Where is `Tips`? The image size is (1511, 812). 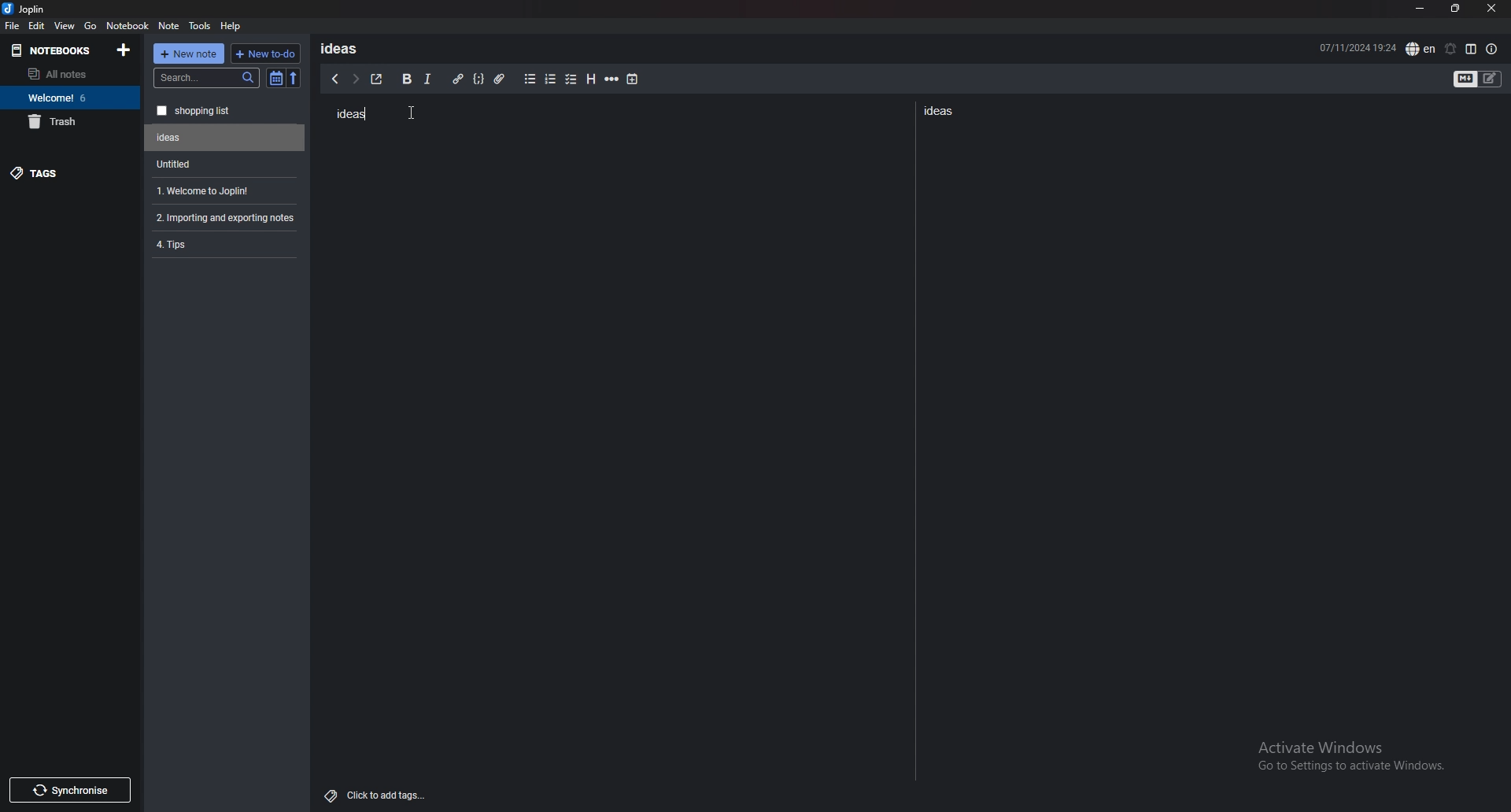
Tips is located at coordinates (224, 243).